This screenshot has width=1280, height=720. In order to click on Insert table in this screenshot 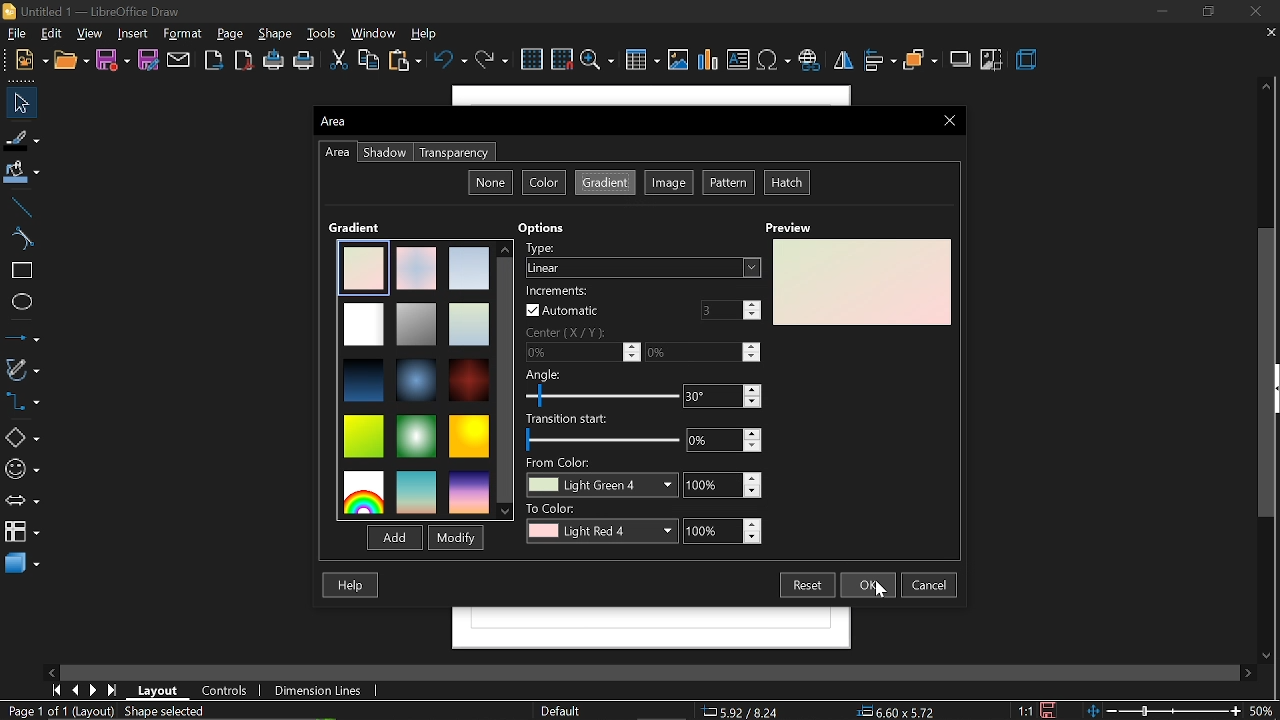, I will do `click(642, 61)`.